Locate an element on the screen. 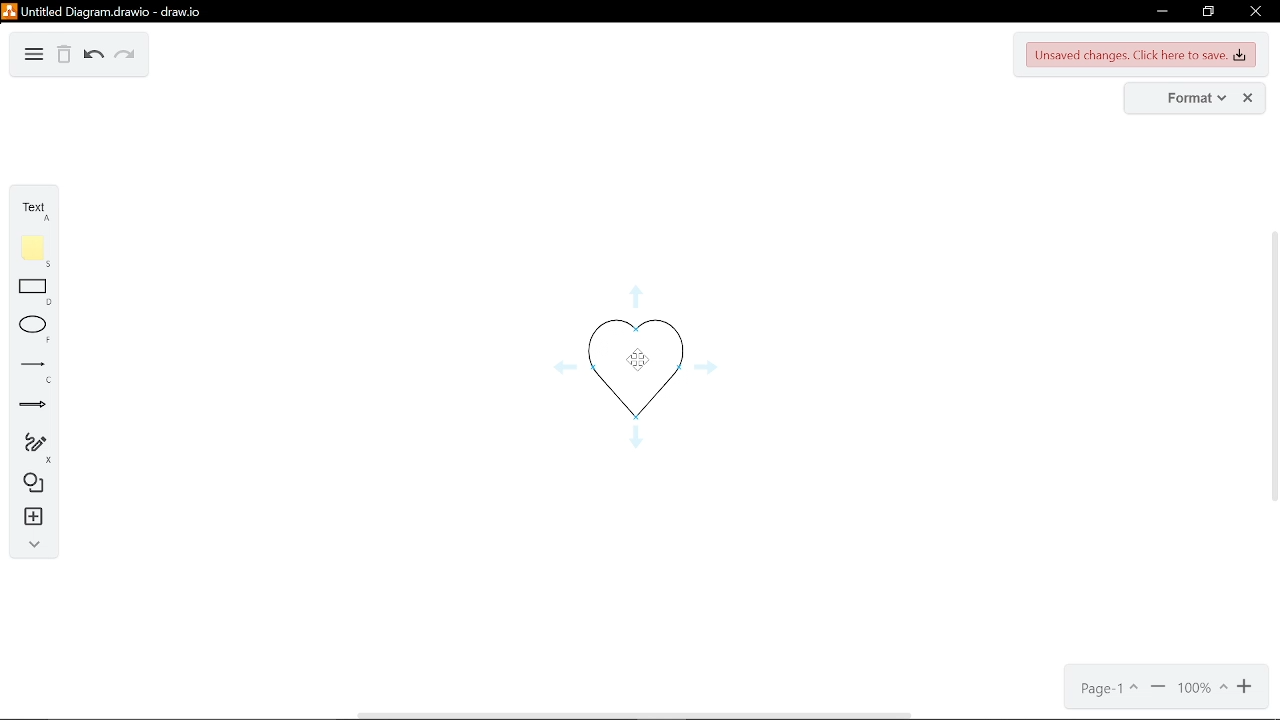 This screenshot has width=1280, height=720. rectangle is located at coordinates (33, 293).